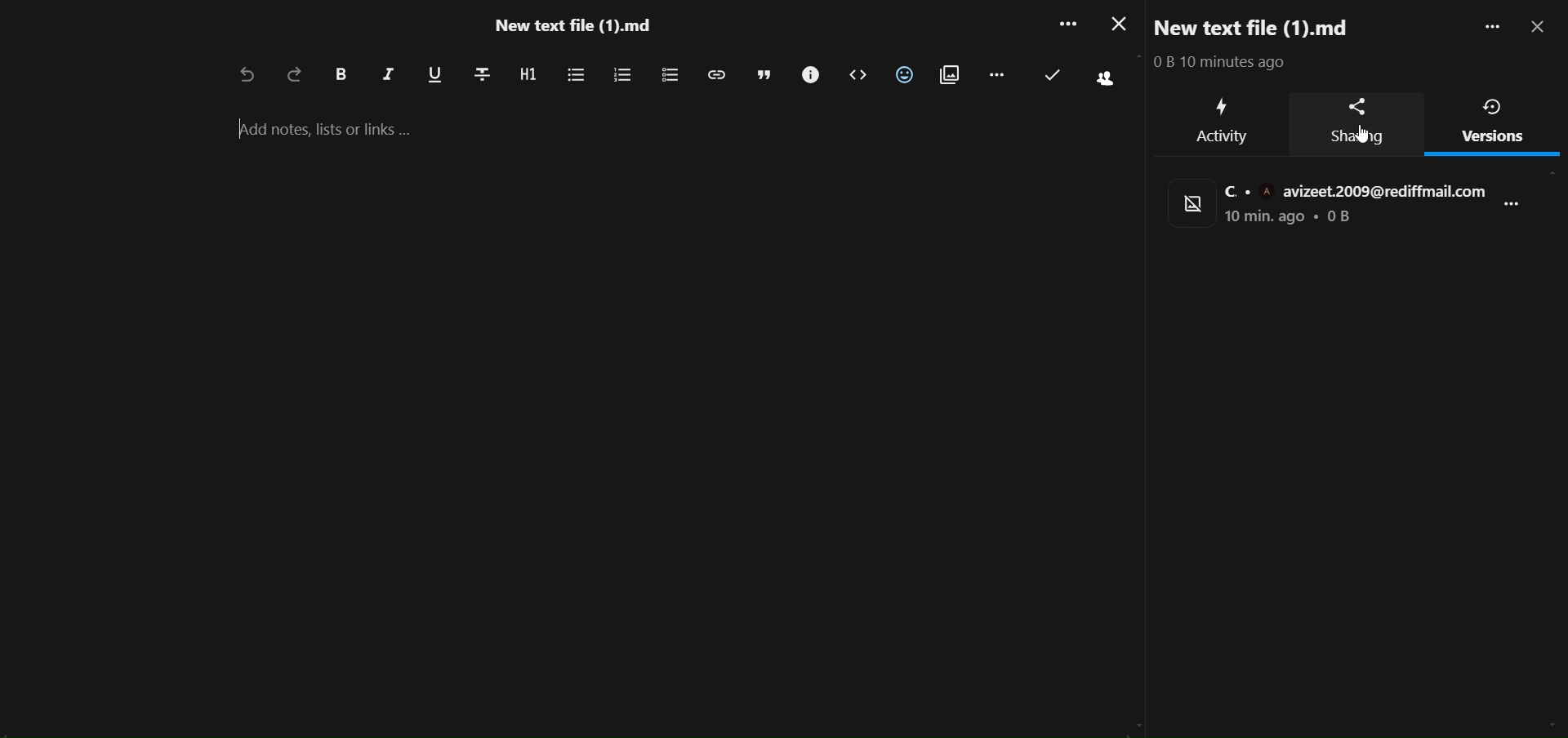  I want to click on more, so click(1515, 204).